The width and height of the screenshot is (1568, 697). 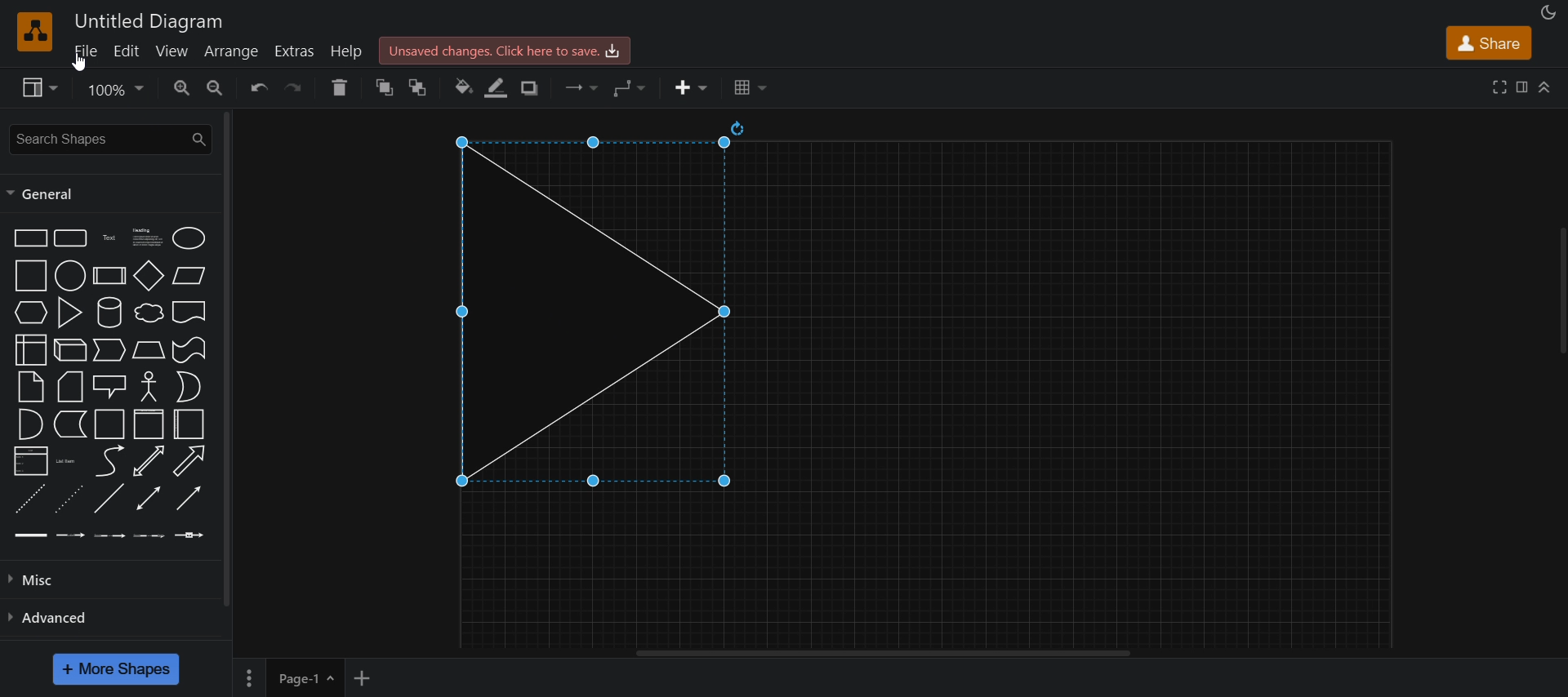 What do you see at coordinates (581, 87) in the screenshot?
I see `connection` at bounding box center [581, 87].